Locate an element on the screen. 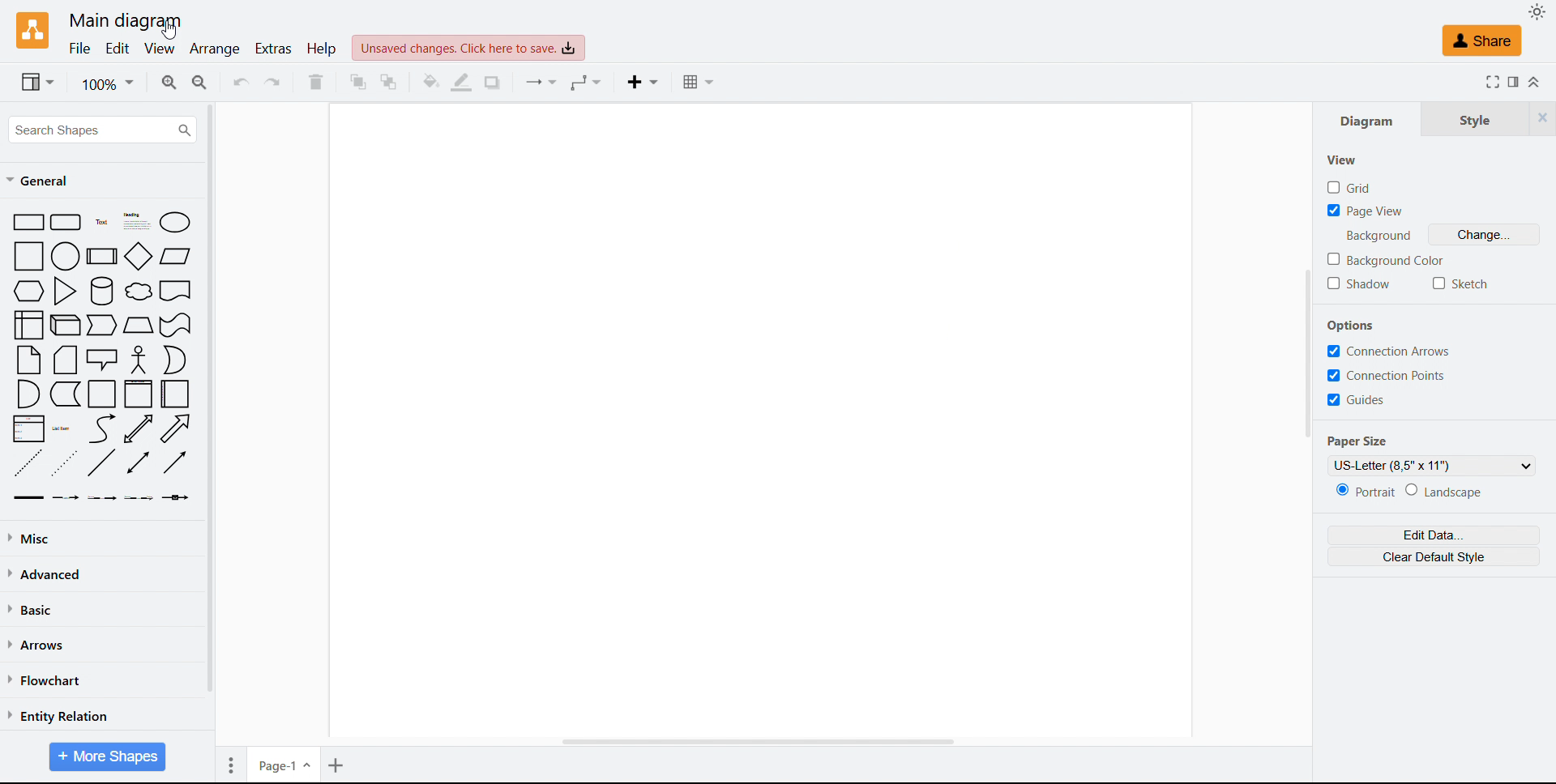  Help  is located at coordinates (322, 48).